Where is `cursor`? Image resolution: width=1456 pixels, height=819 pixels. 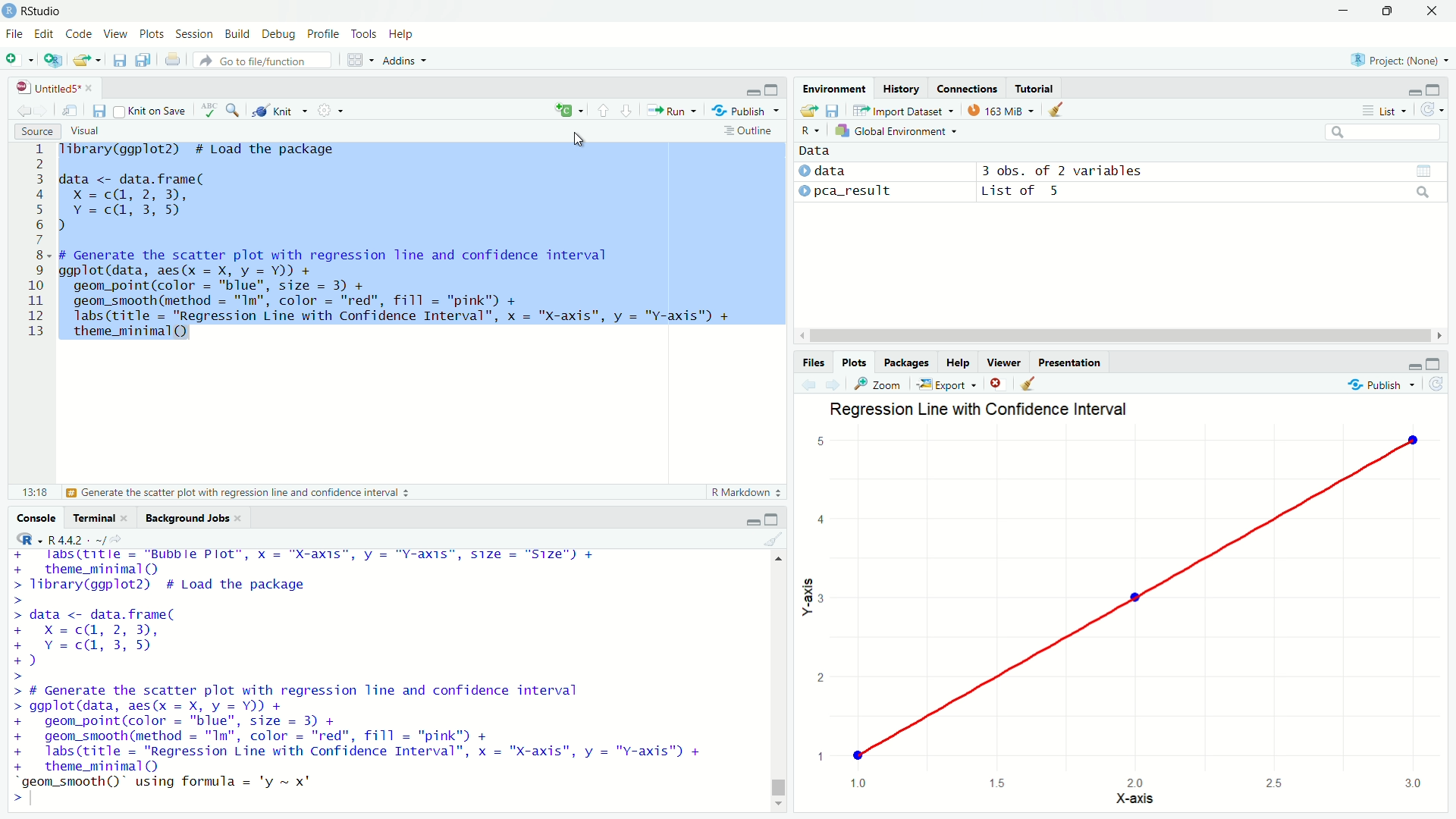
cursor is located at coordinates (579, 140).